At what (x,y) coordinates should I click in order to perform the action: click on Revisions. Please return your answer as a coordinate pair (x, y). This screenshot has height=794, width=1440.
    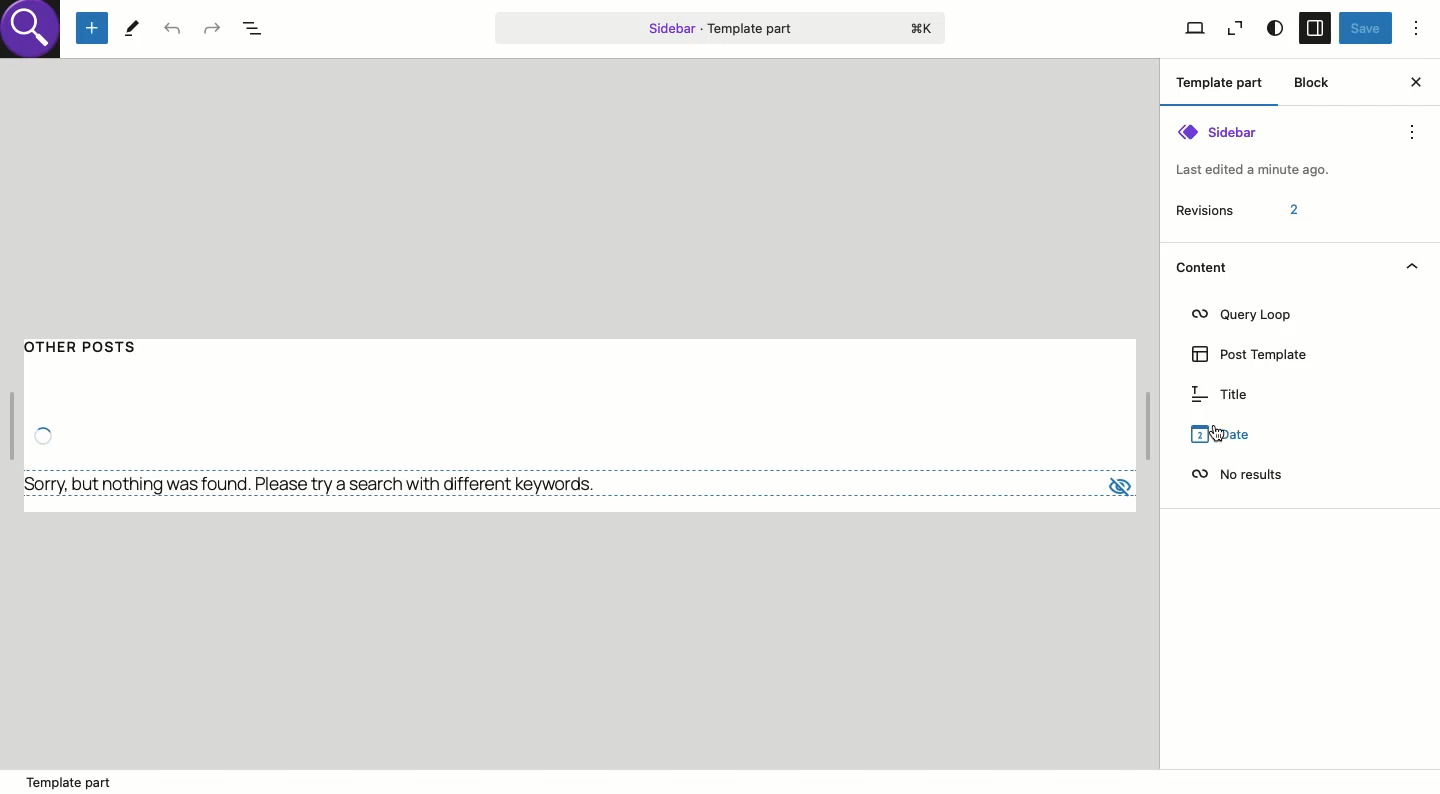
    Looking at the image, I should click on (1236, 210).